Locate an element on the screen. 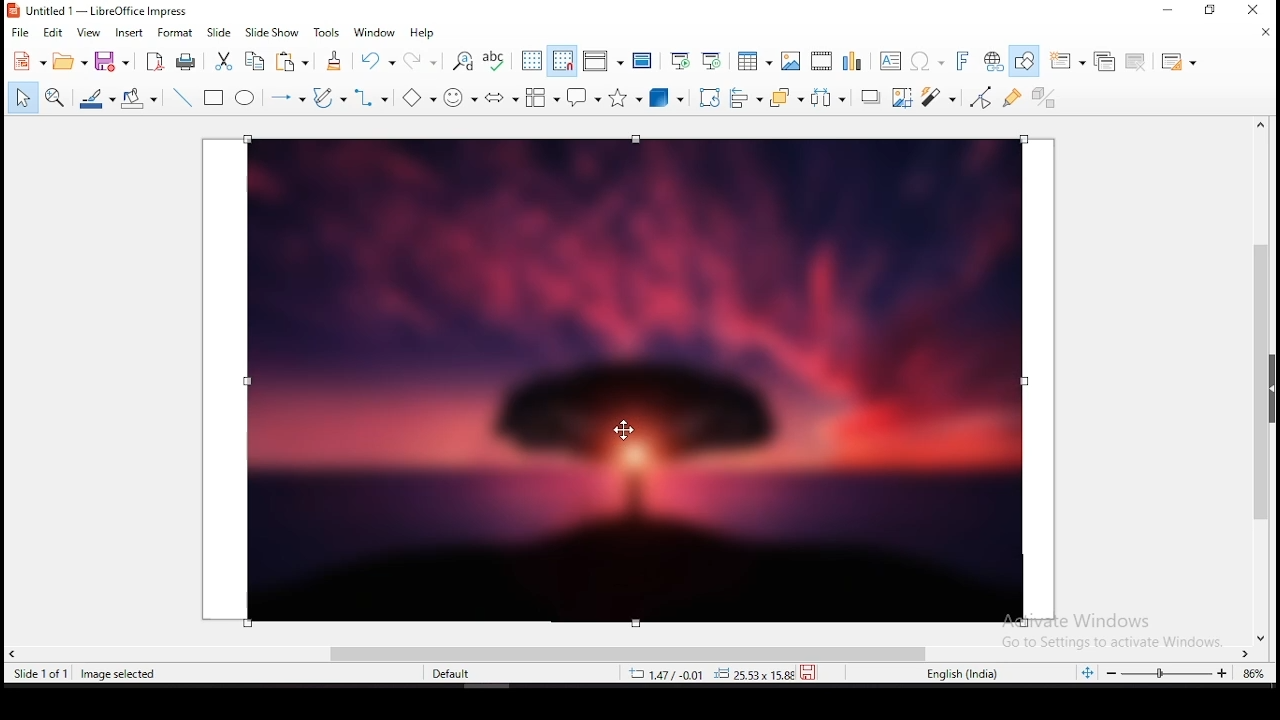 This screenshot has width=1280, height=720. insert hyperlink is located at coordinates (996, 61).